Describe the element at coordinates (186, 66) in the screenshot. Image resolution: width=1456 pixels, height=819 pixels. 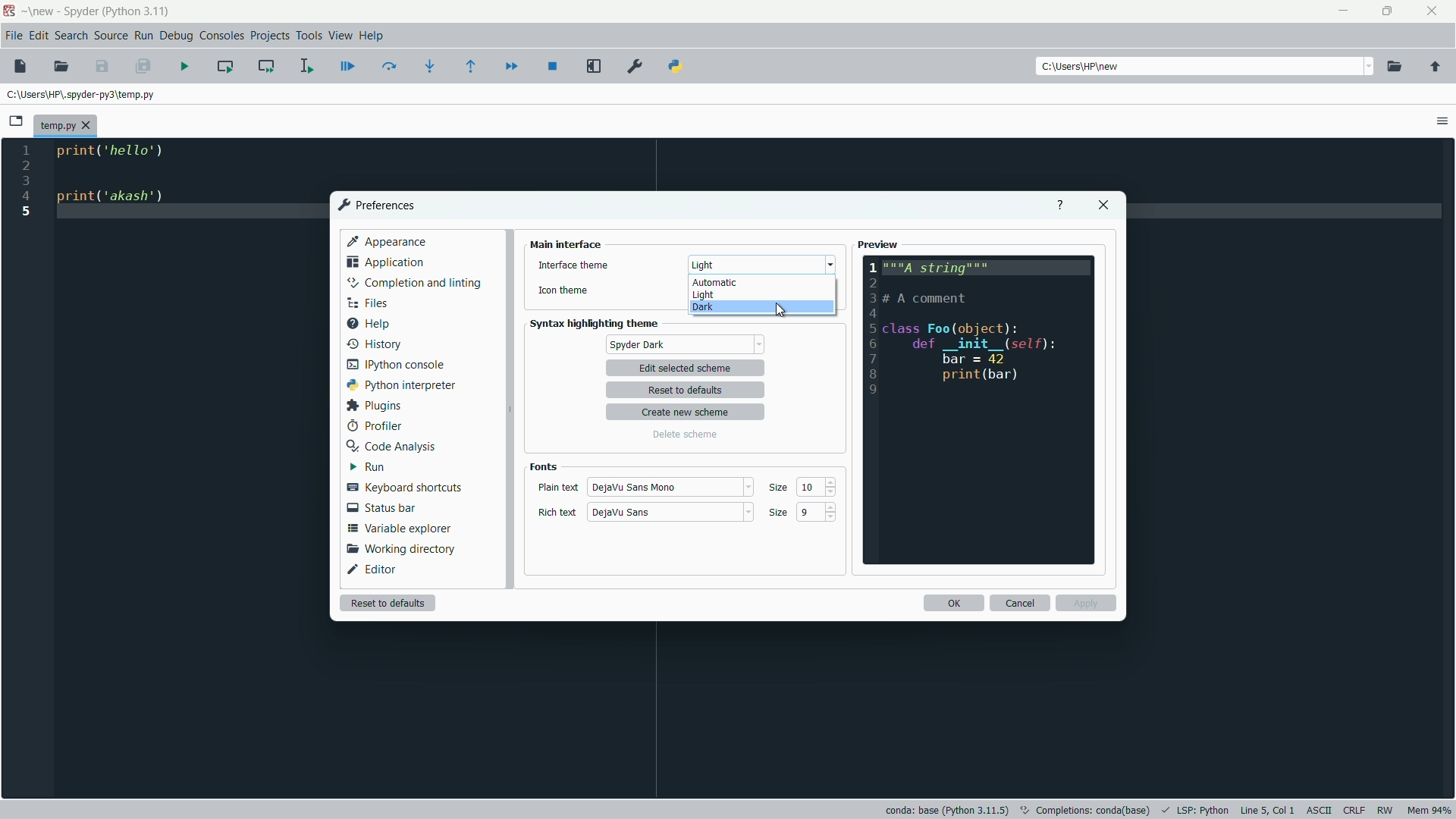
I see `run file` at that location.